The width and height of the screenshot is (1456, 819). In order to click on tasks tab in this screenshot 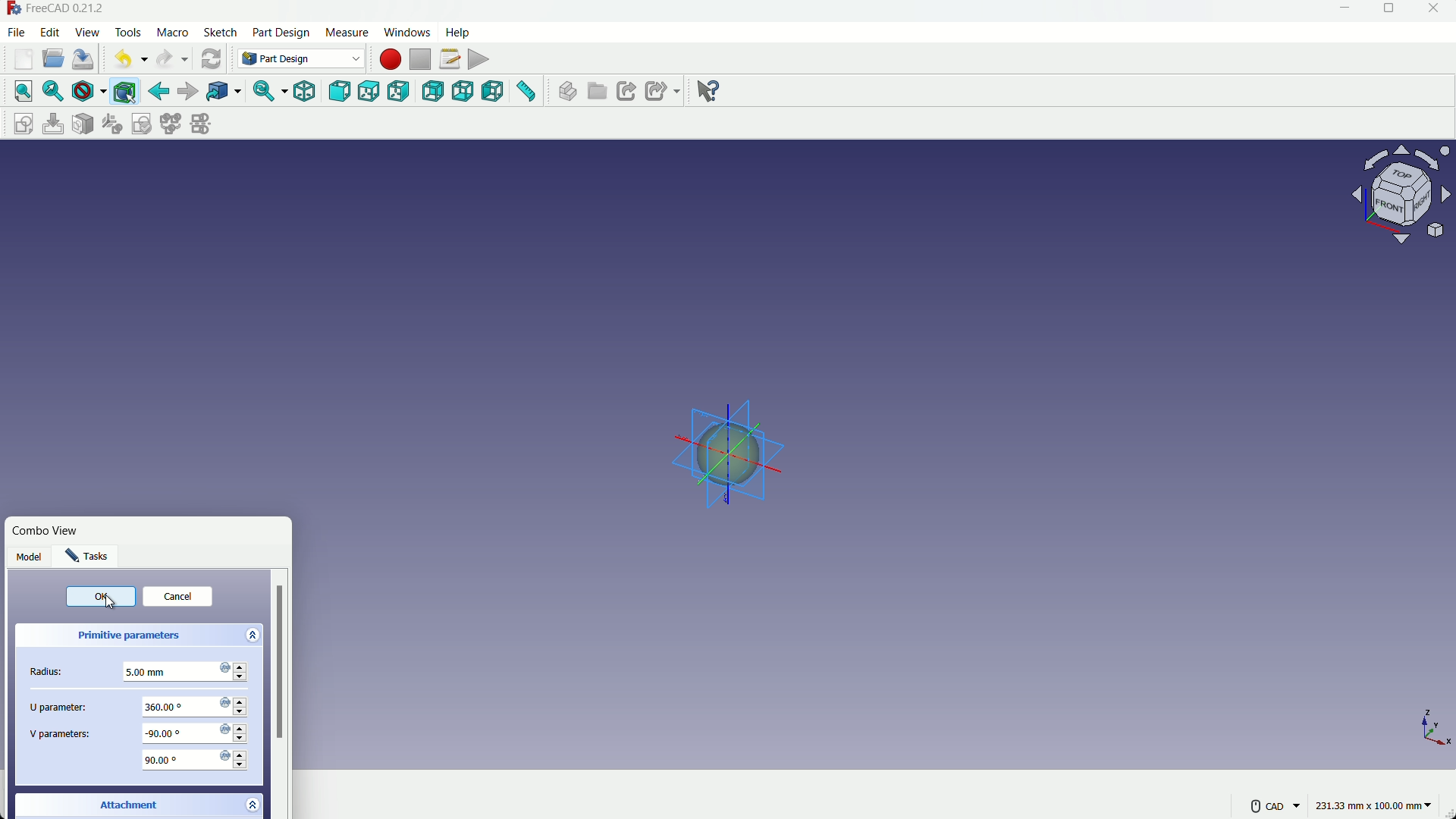, I will do `click(91, 556)`.